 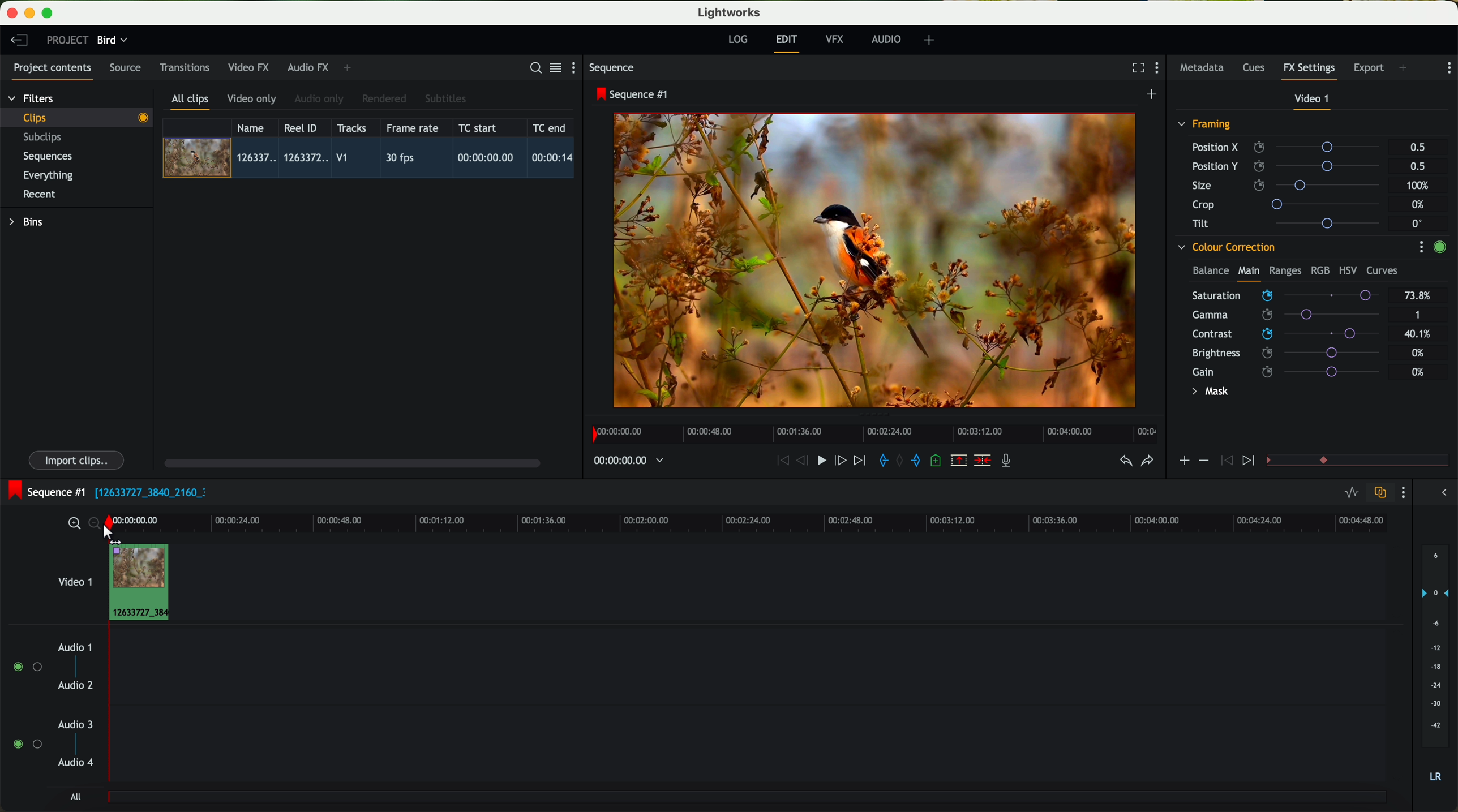 I want to click on audio 3, so click(x=70, y=724).